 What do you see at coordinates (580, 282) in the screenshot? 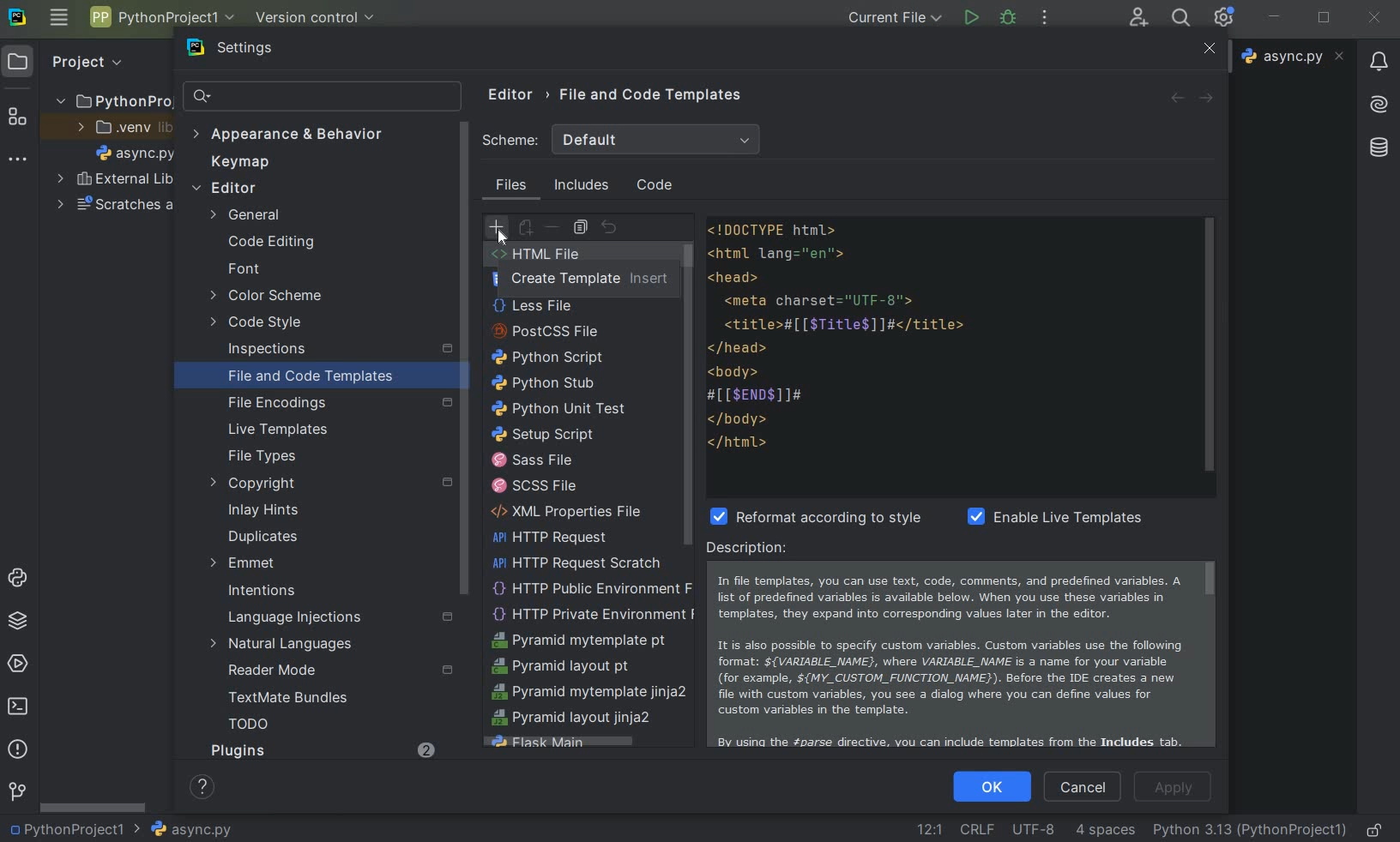
I see `create Template` at bounding box center [580, 282].